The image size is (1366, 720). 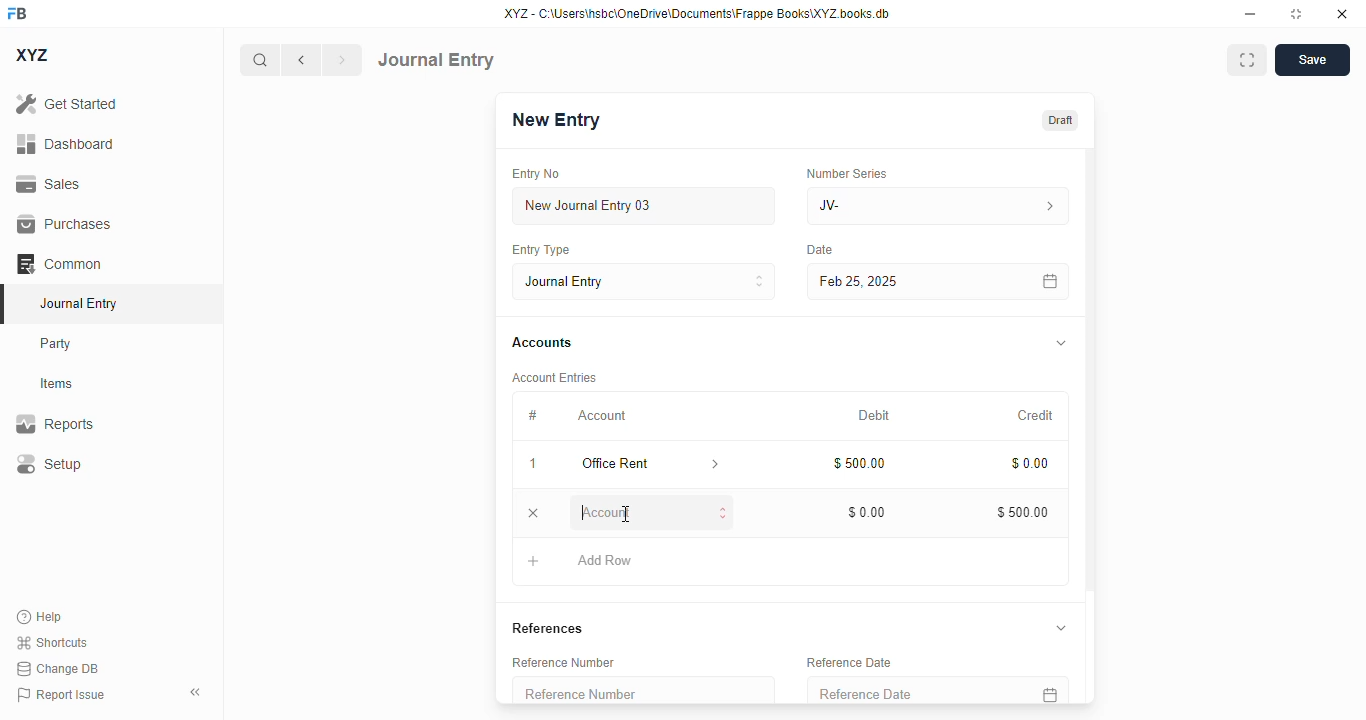 What do you see at coordinates (868, 512) in the screenshot?
I see `$ 0.00` at bounding box center [868, 512].